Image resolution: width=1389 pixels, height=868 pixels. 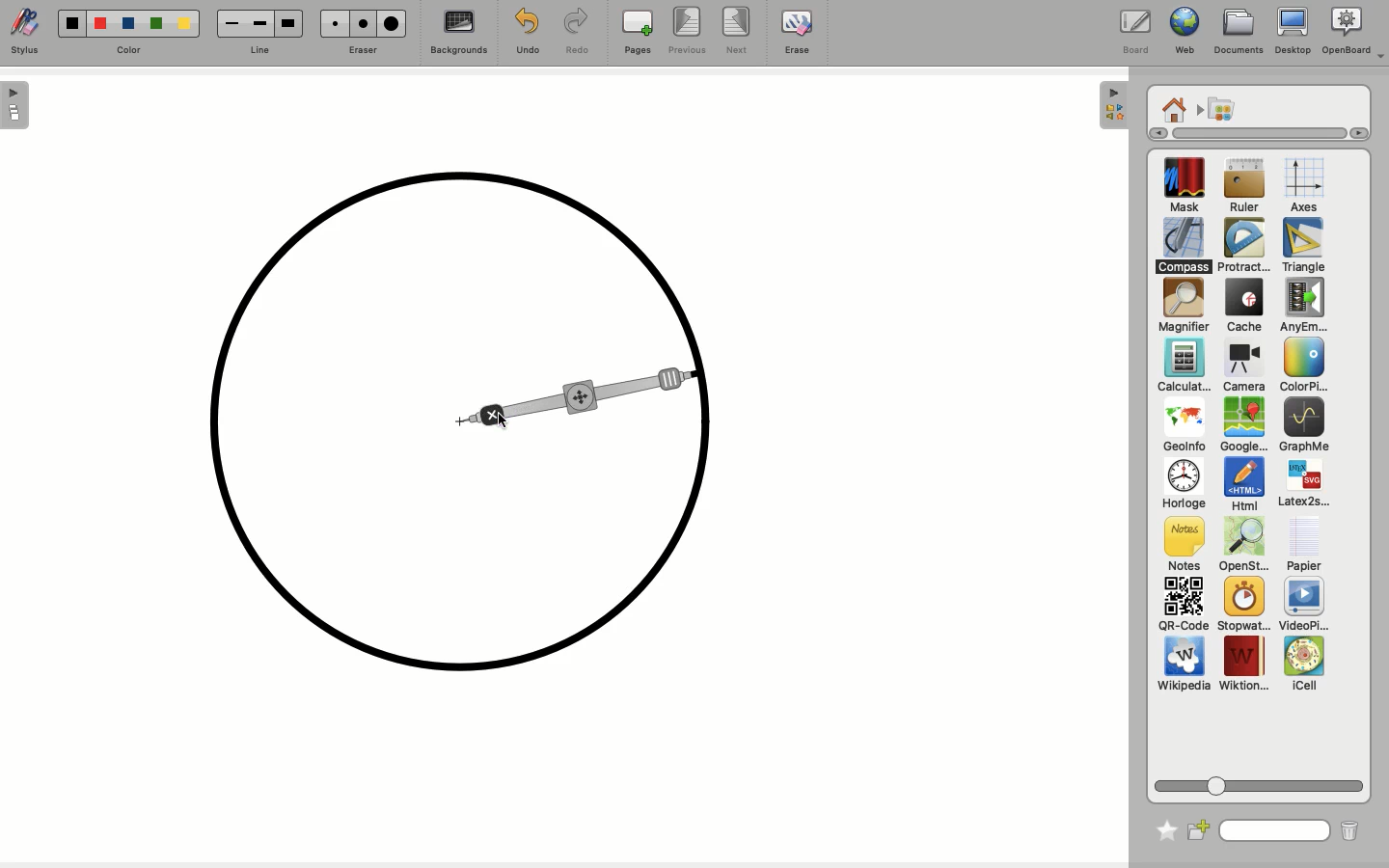 What do you see at coordinates (582, 400) in the screenshot?
I see `Compass mouse down` at bounding box center [582, 400].